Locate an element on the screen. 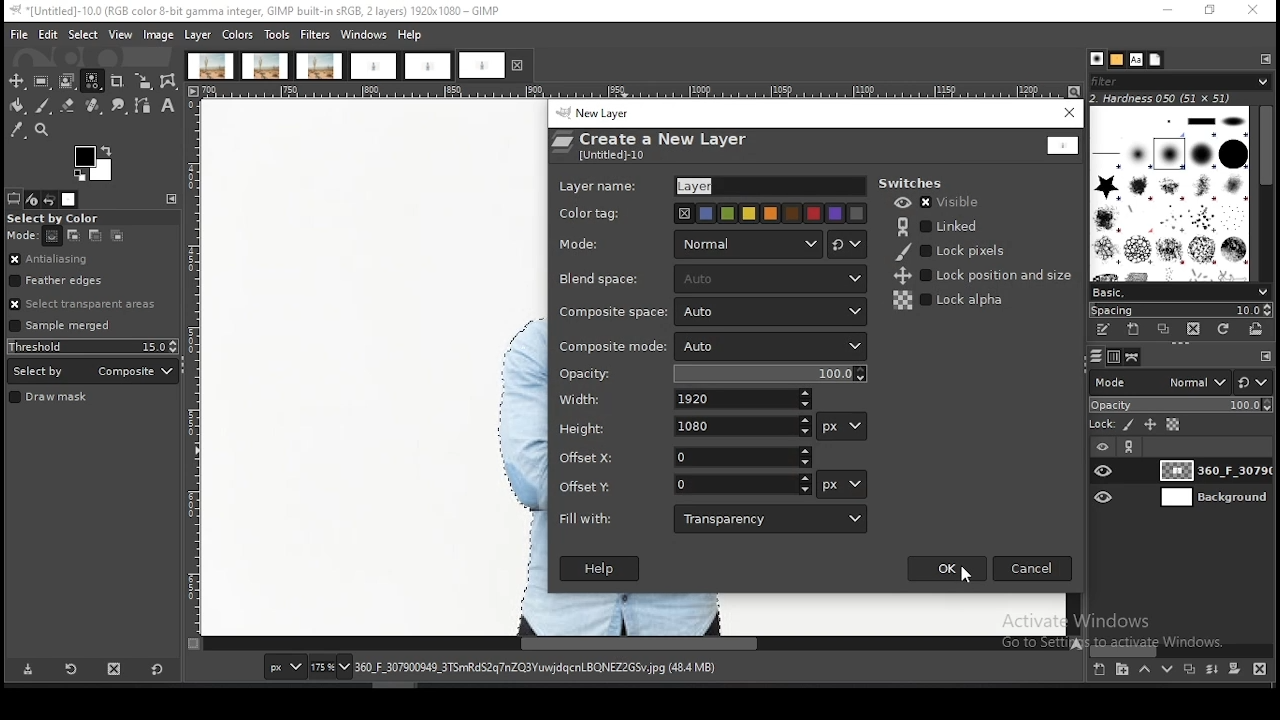 The width and height of the screenshot is (1280, 720). lock alpha is located at coordinates (950, 300).